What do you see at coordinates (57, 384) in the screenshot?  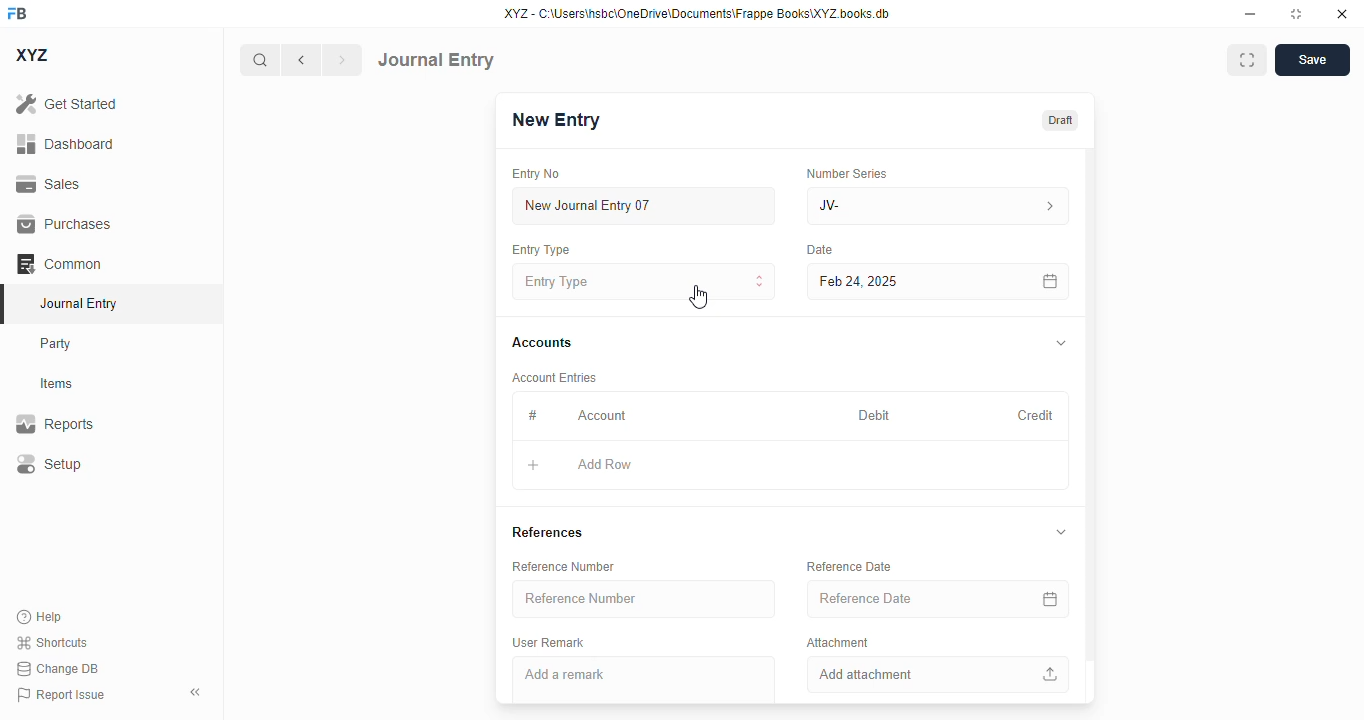 I see `items` at bounding box center [57, 384].